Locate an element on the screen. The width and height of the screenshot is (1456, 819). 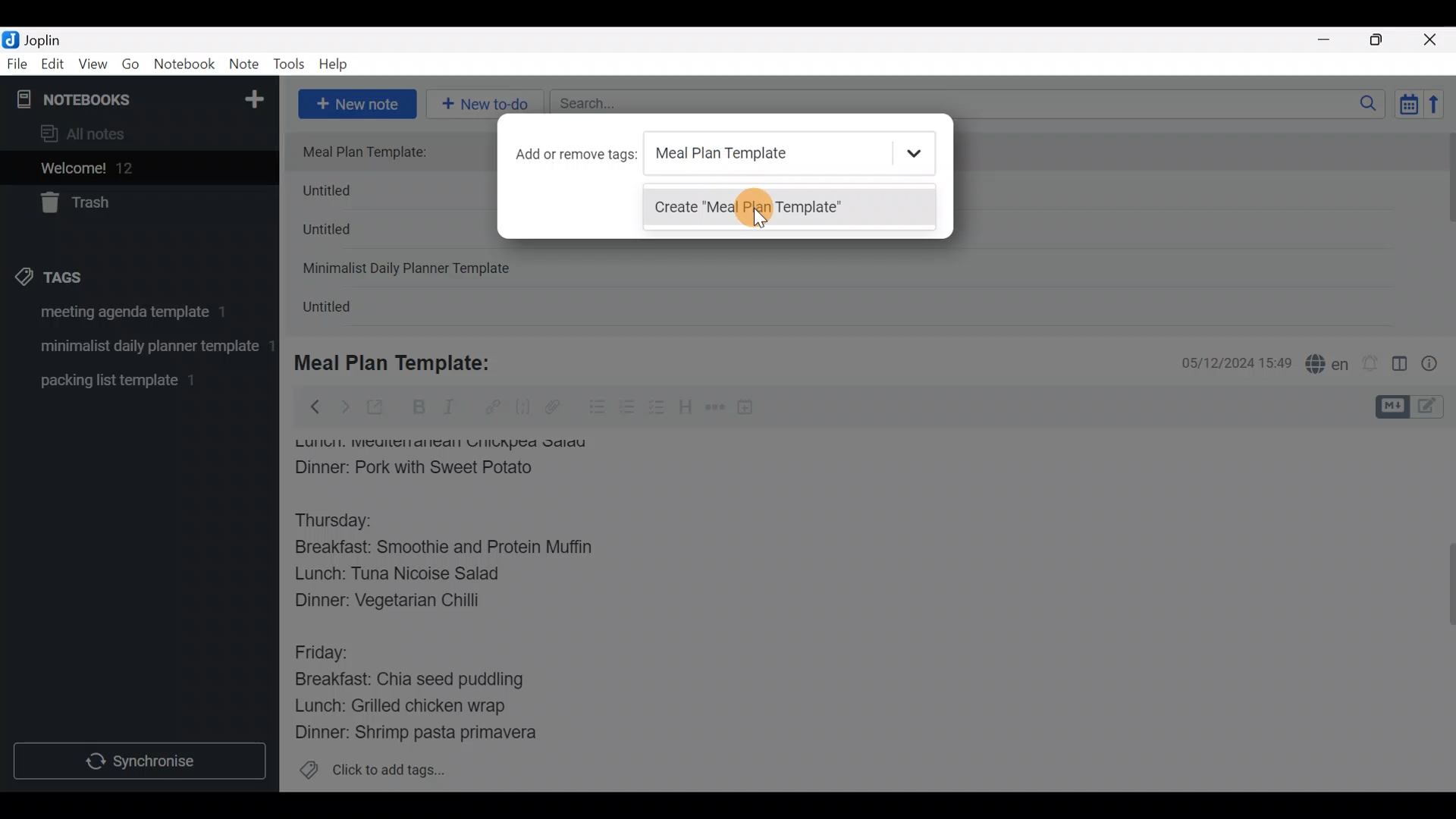
Maximize is located at coordinates (1385, 40).